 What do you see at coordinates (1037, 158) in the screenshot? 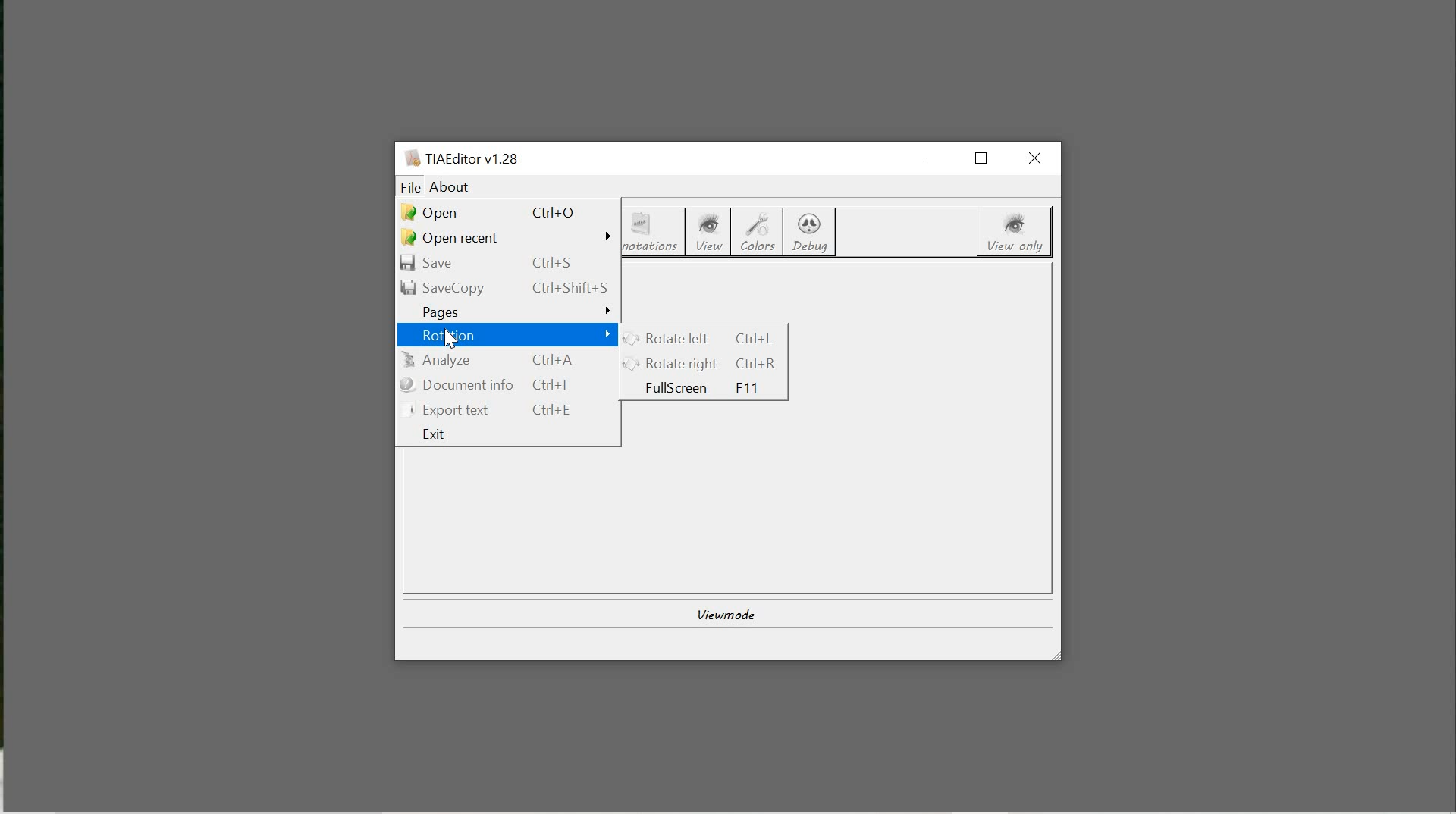
I see `close` at bounding box center [1037, 158].